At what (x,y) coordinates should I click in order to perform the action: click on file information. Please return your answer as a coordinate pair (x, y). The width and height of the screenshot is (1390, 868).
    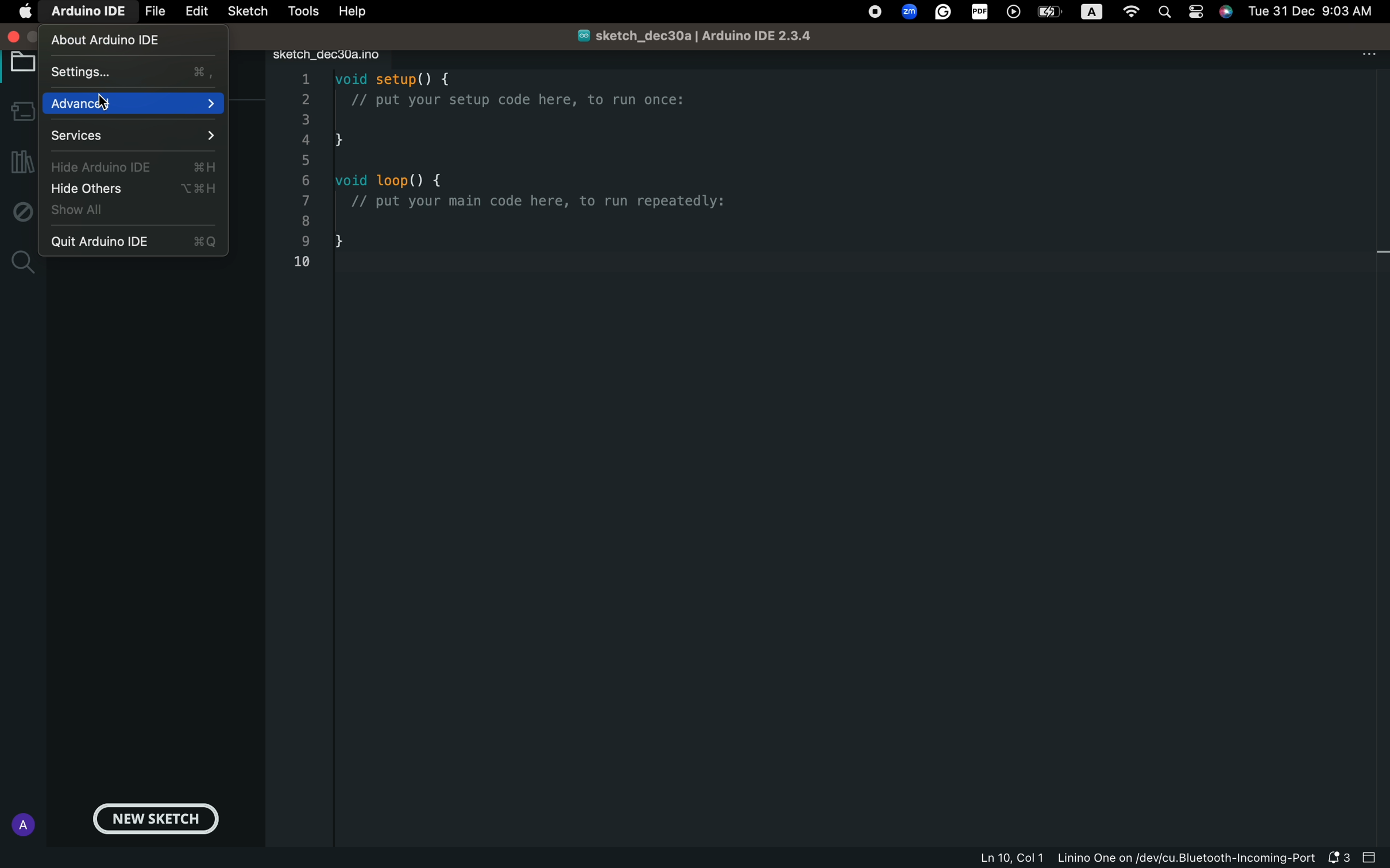
    Looking at the image, I should click on (1142, 858).